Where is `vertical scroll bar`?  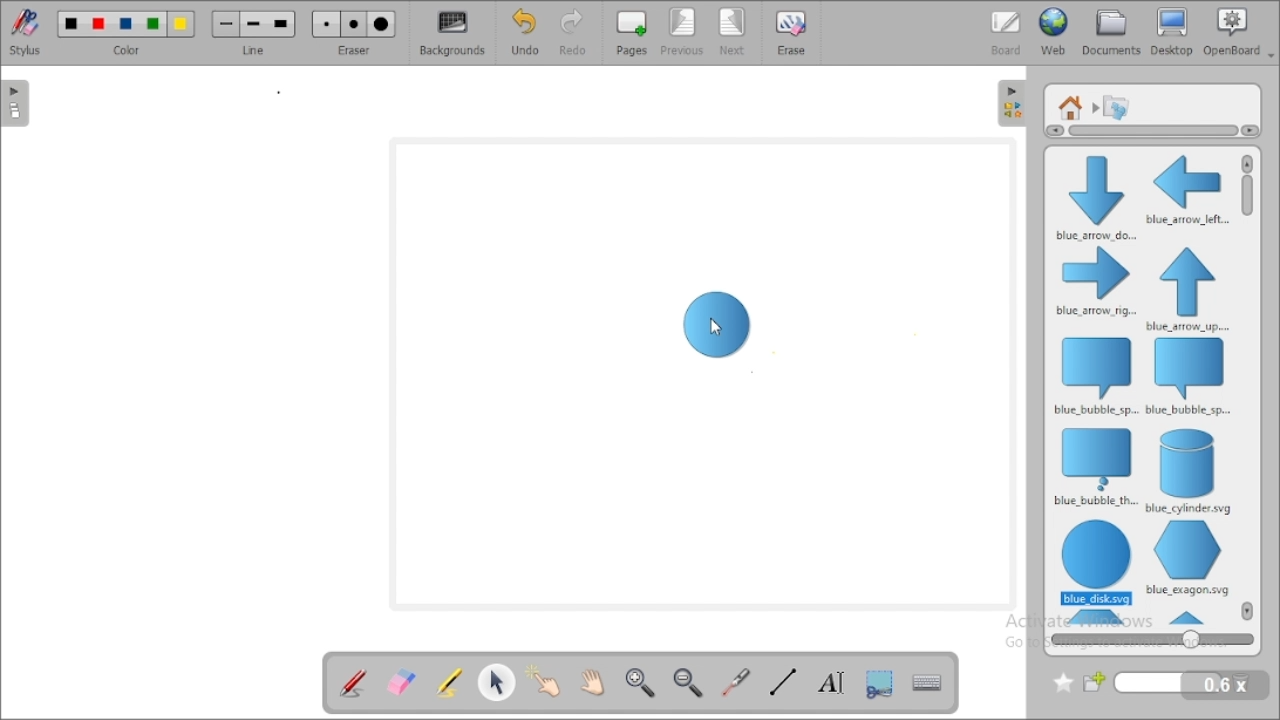 vertical scroll bar is located at coordinates (1248, 208).